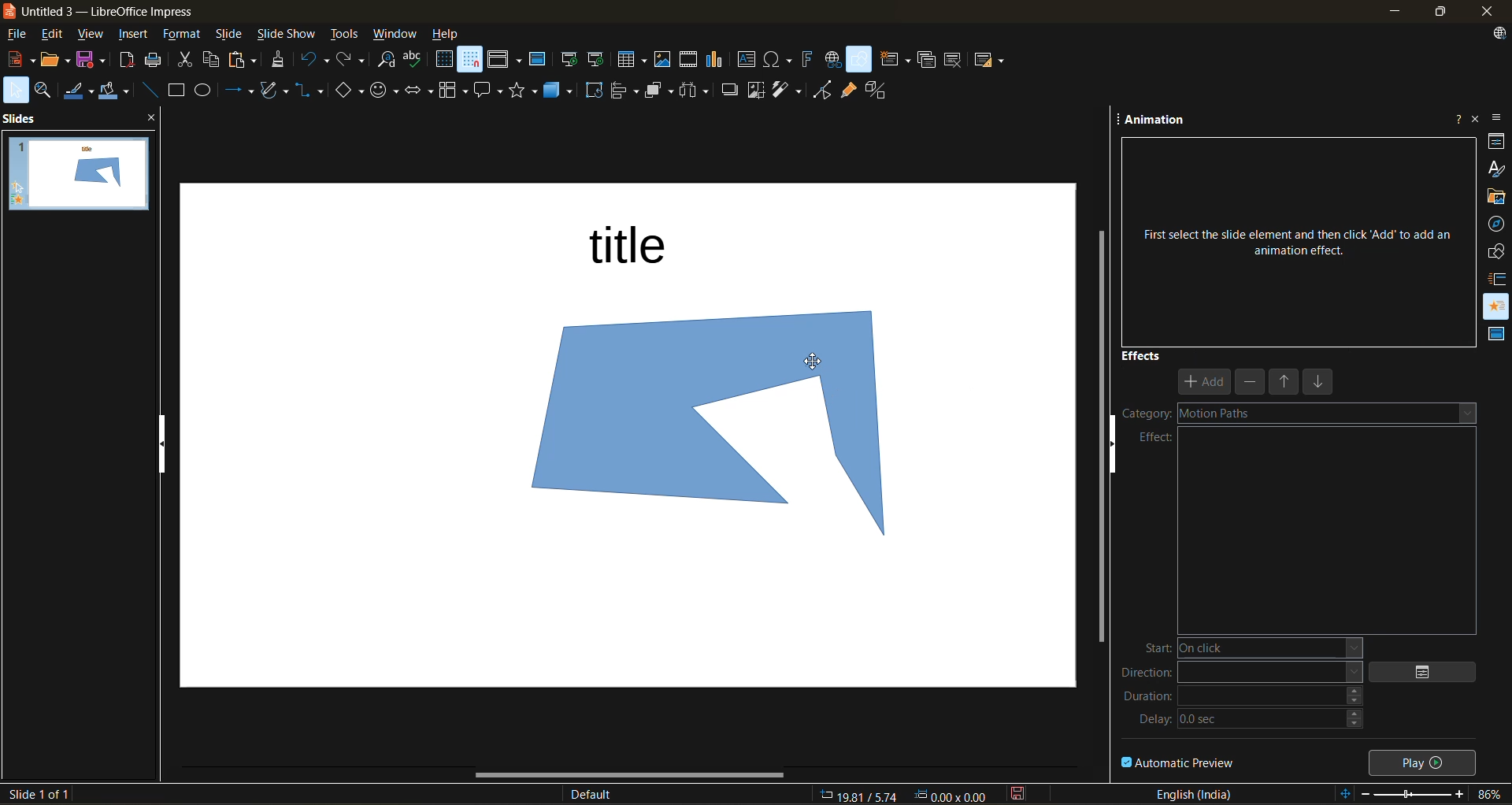  What do you see at coordinates (697, 91) in the screenshot?
I see `distribute` at bounding box center [697, 91].